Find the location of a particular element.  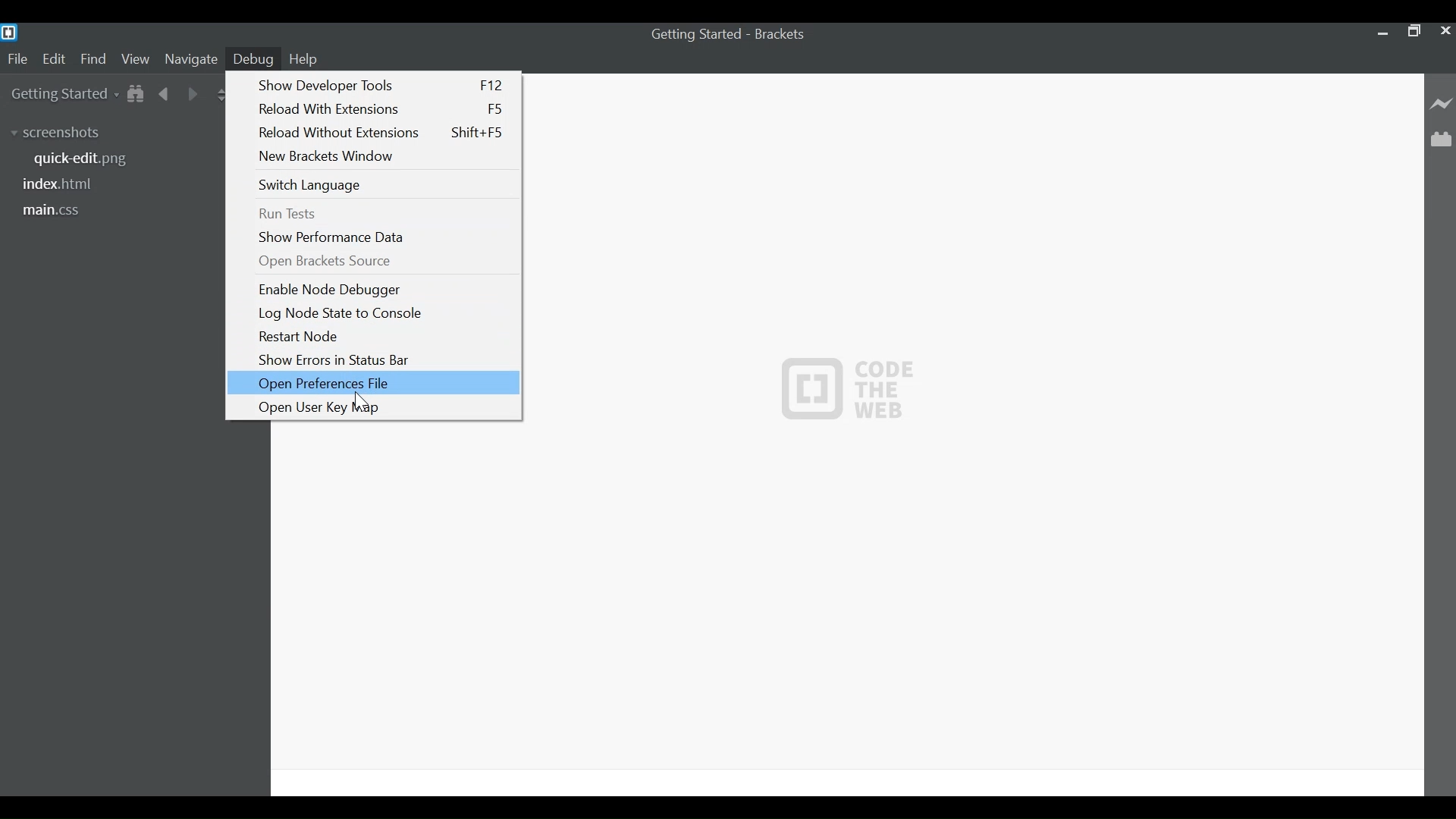

Switch Language is located at coordinates (320, 186).